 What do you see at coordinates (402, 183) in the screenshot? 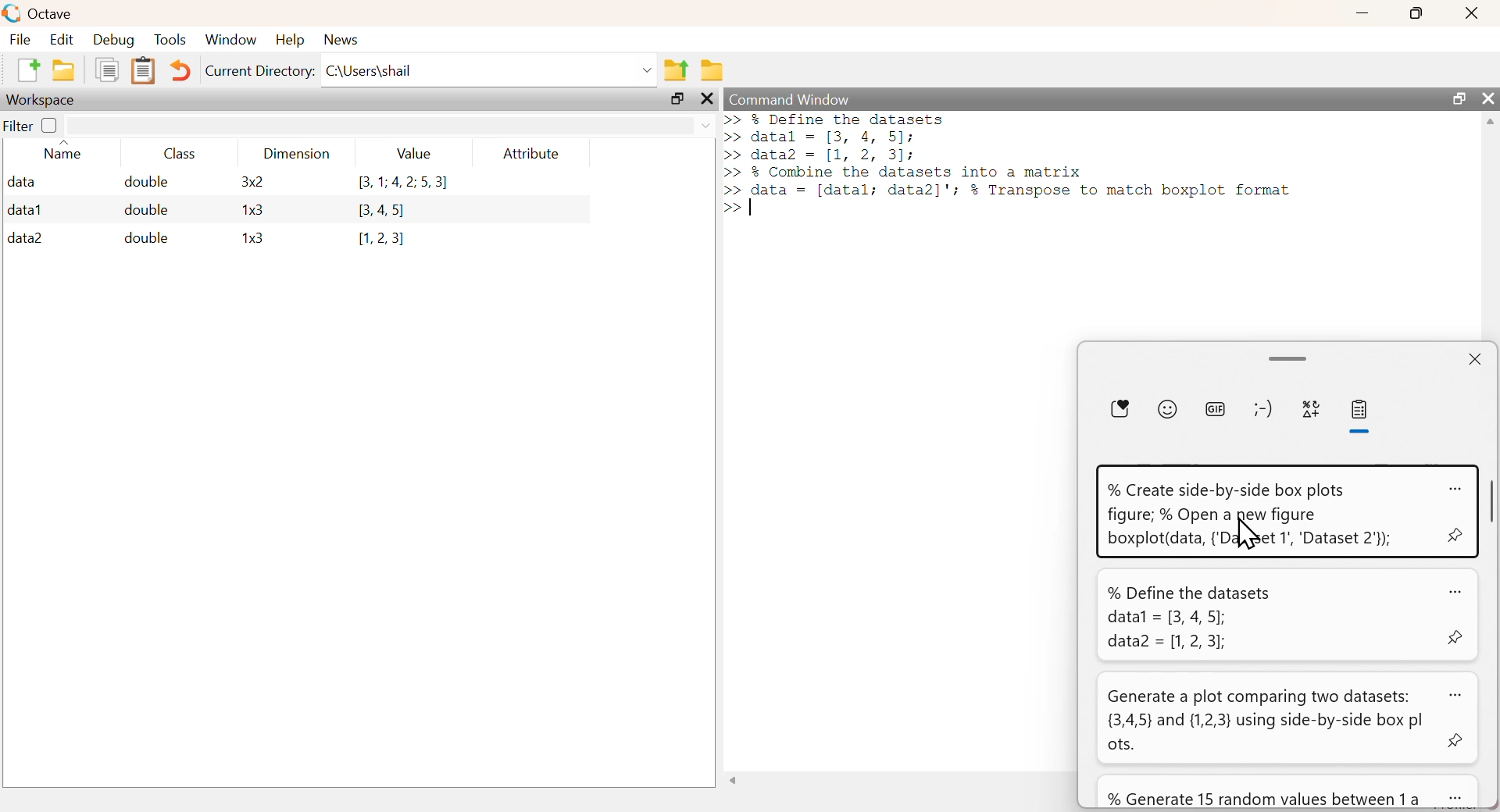
I see `[3.1:4,2:5,3]` at bounding box center [402, 183].